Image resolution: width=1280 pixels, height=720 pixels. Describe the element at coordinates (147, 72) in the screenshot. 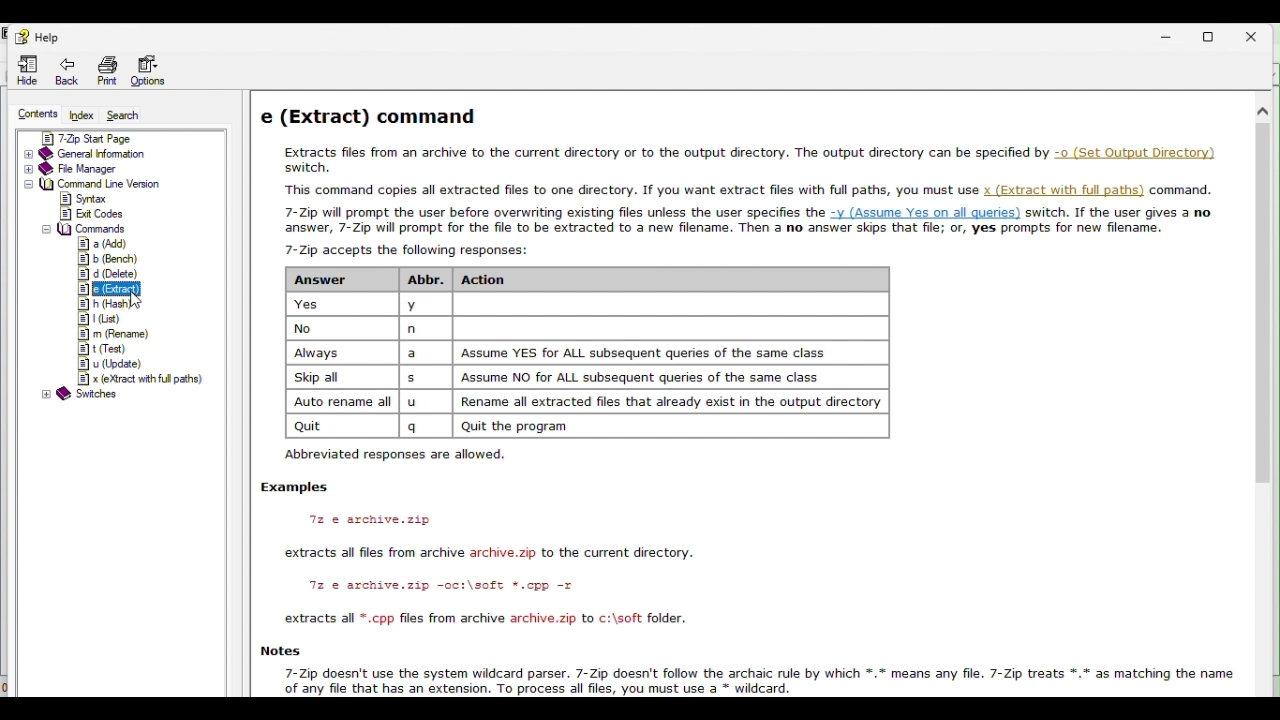

I see `Option` at that location.